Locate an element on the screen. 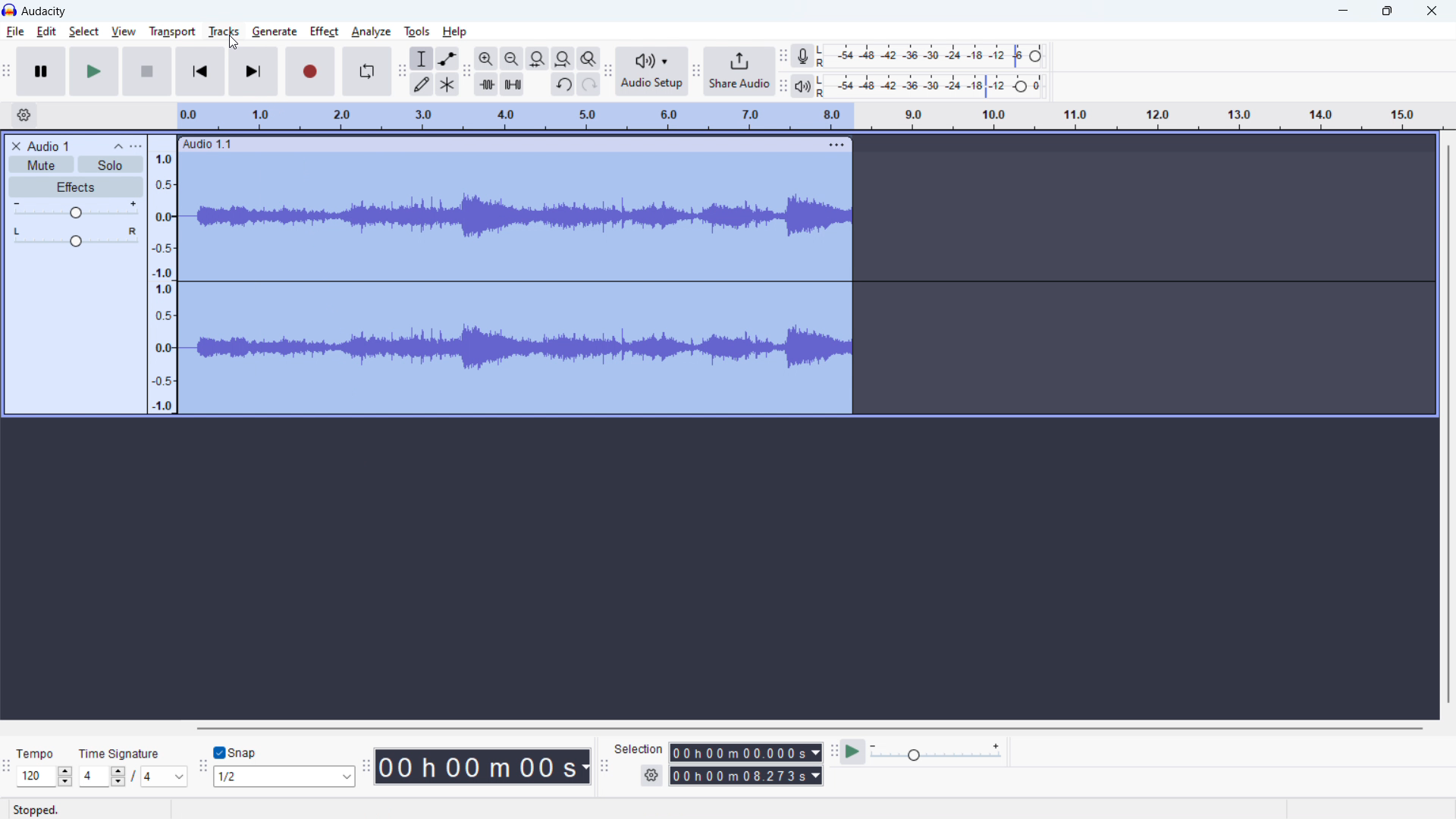  tools toolbar is located at coordinates (401, 71).